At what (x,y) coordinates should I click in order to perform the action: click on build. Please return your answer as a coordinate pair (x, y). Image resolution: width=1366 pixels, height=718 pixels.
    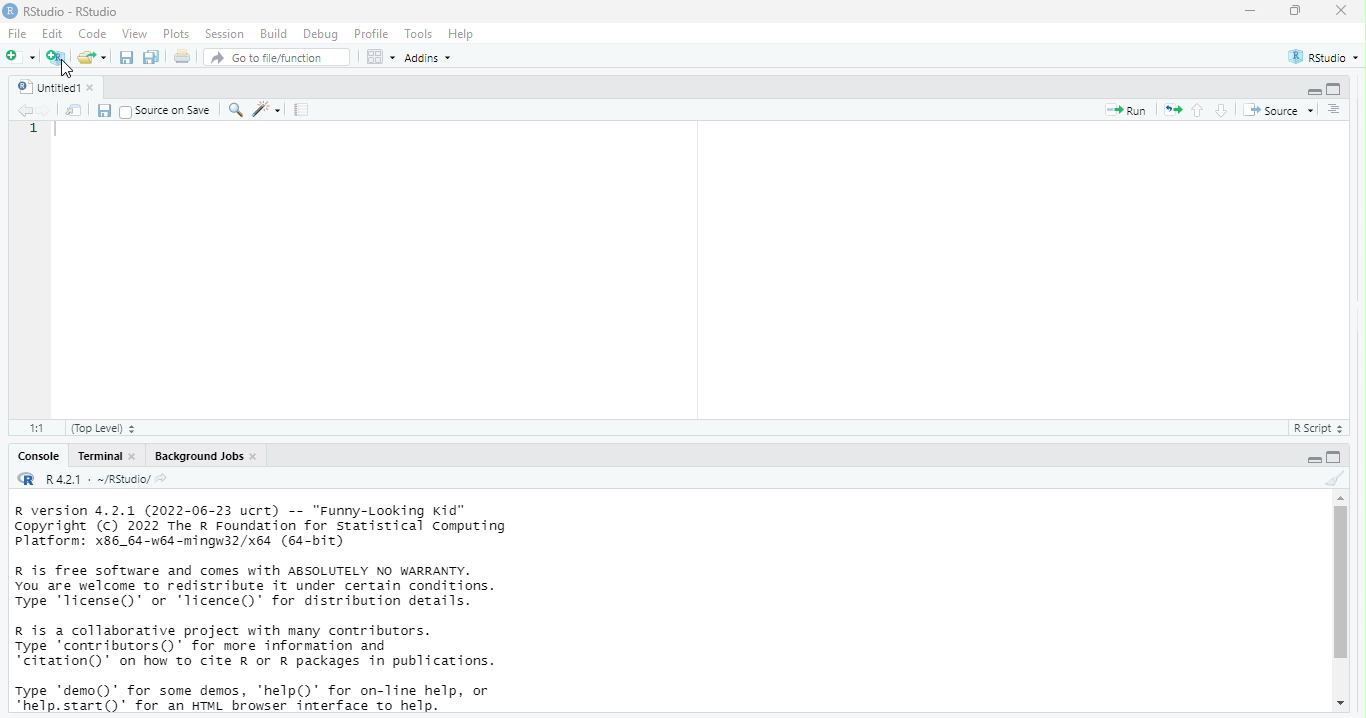
    Looking at the image, I should click on (273, 34).